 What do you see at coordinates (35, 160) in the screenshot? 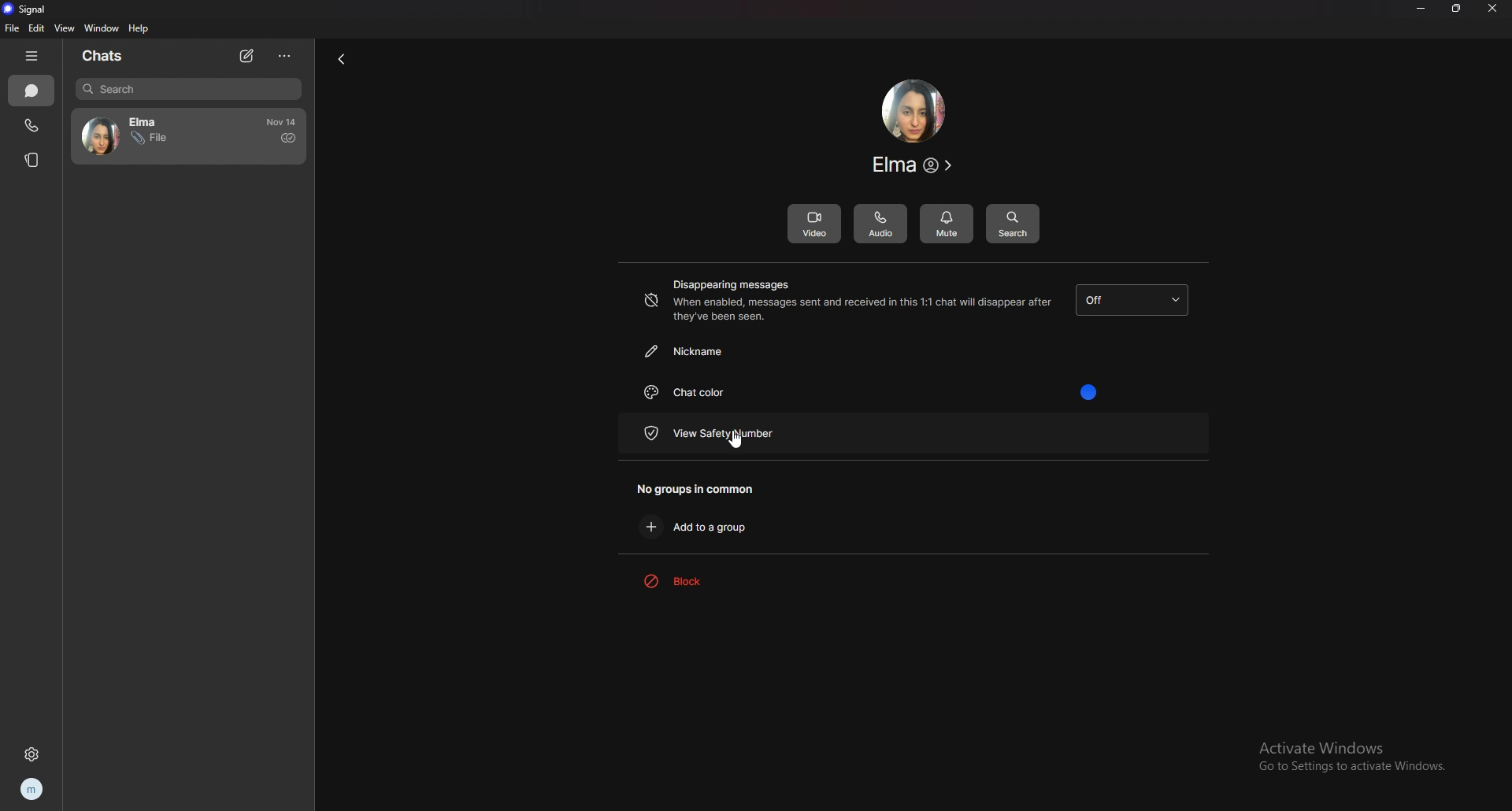
I see `stories` at bounding box center [35, 160].